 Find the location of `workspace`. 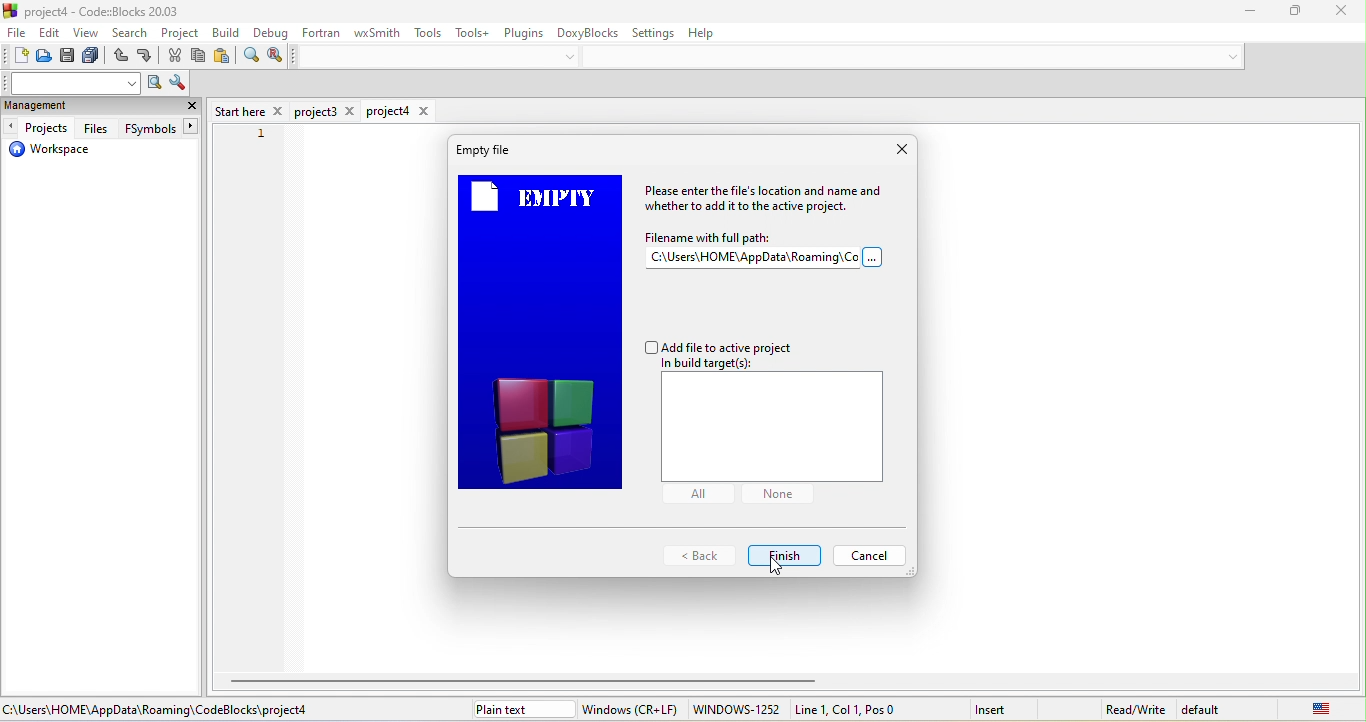

workspace is located at coordinates (50, 152).